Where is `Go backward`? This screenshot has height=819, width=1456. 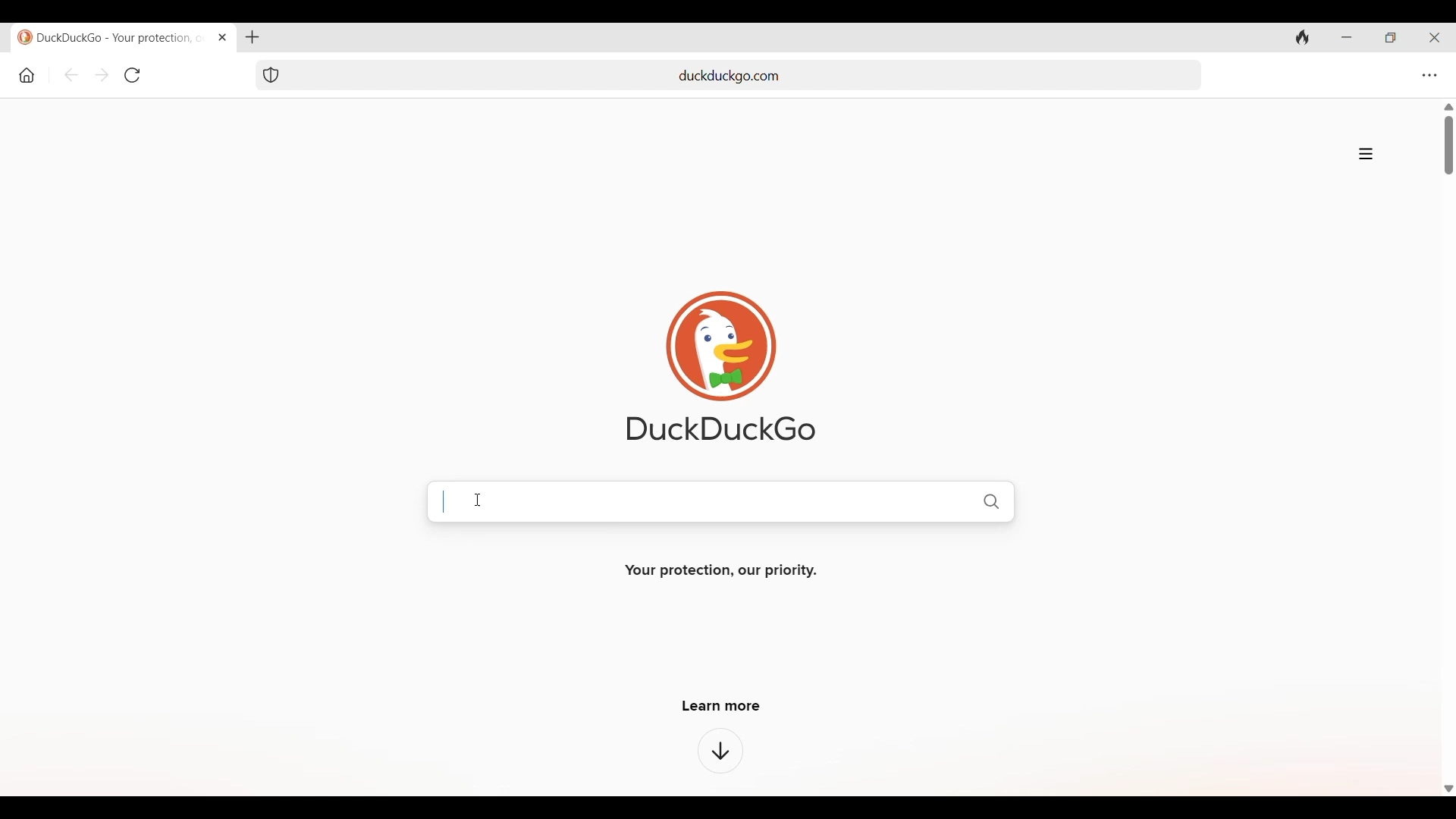
Go backward is located at coordinates (71, 75).